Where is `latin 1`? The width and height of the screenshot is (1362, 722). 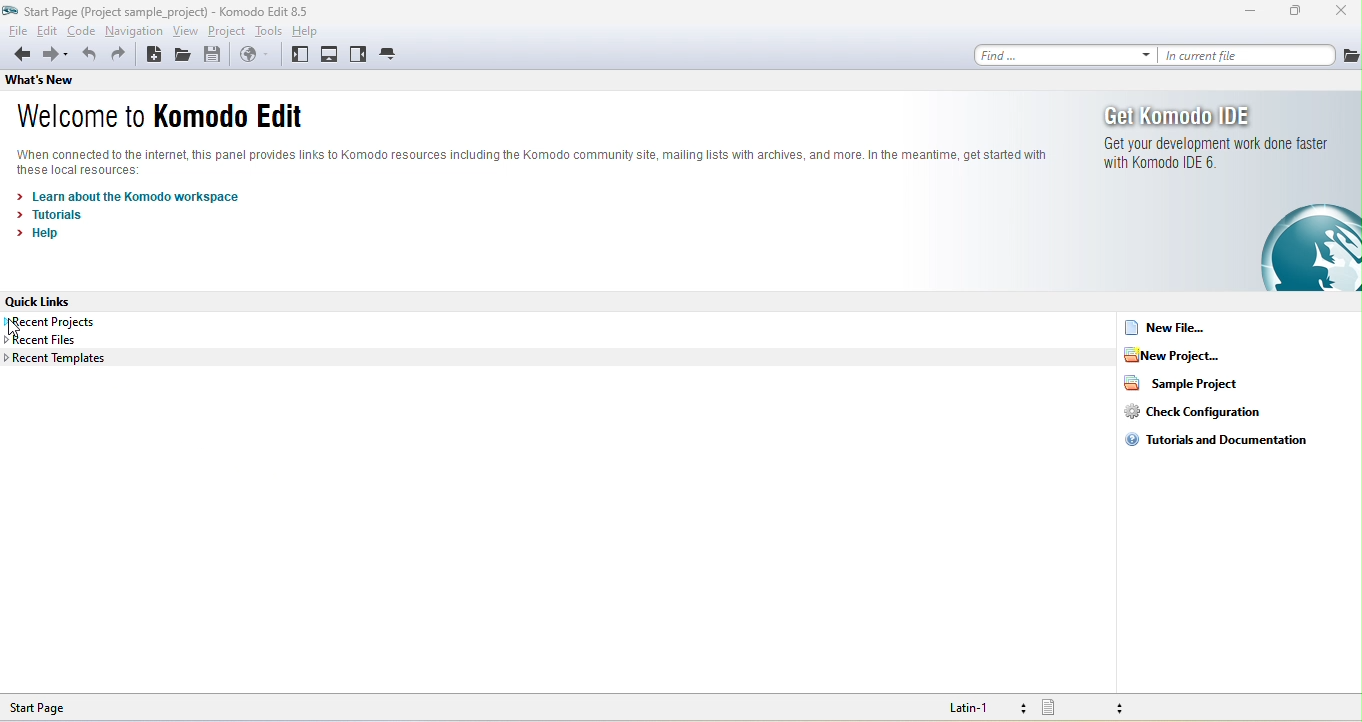 latin 1 is located at coordinates (973, 707).